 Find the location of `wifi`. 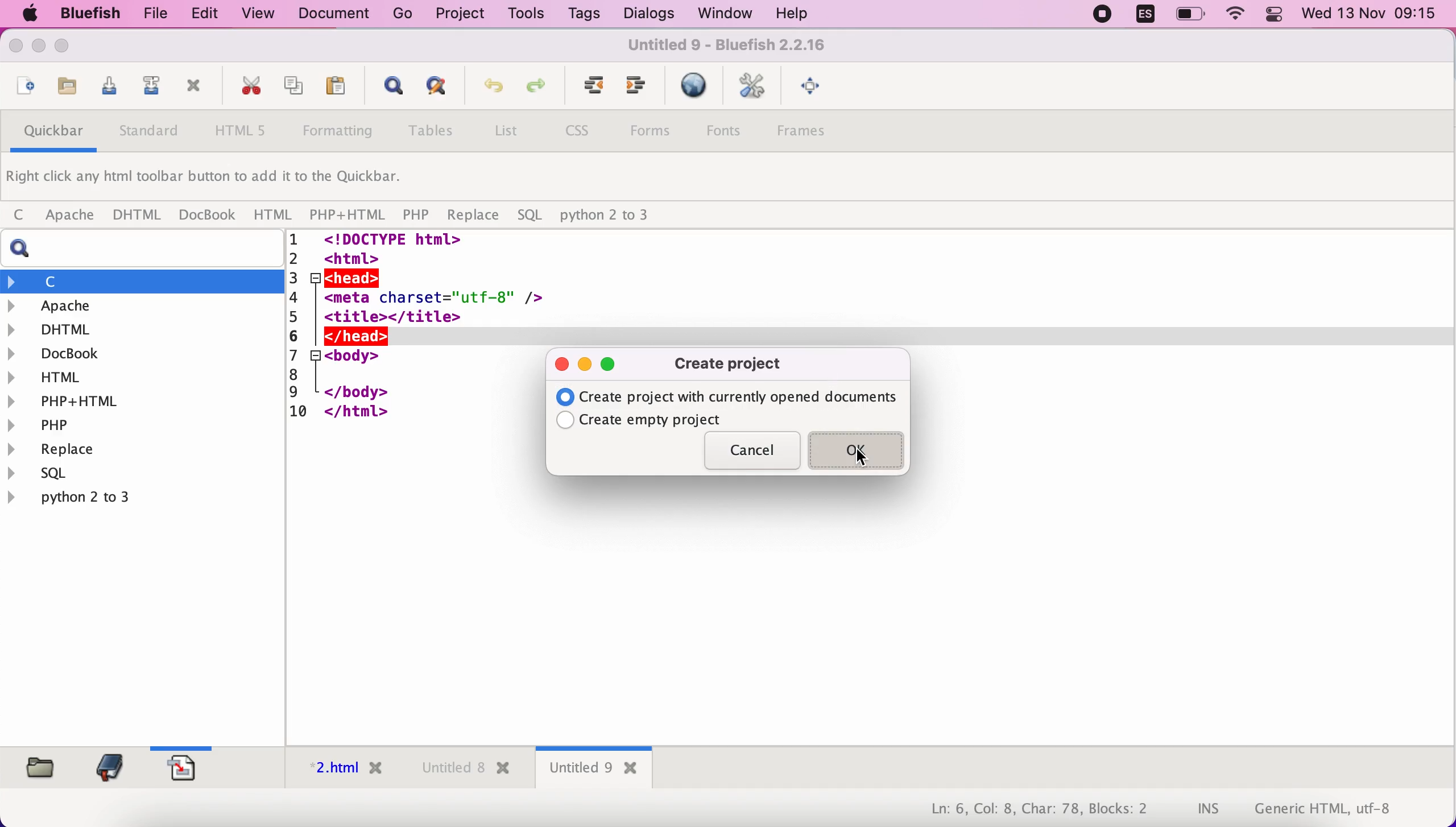

wifi is located at coordinates (1237, 15).